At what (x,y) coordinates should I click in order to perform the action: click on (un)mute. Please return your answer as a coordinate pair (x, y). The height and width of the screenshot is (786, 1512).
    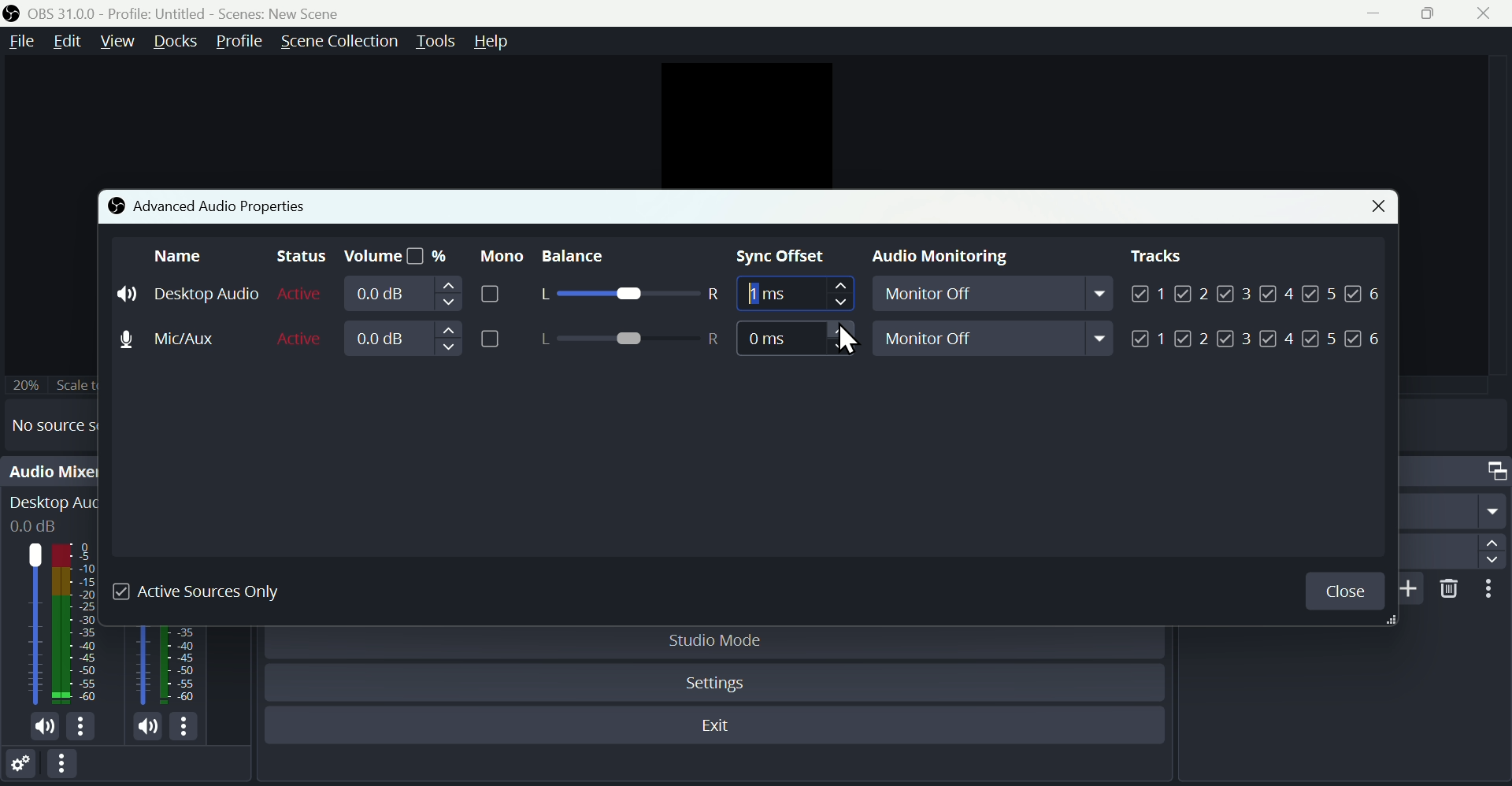
    Looking at the image, I should click on (47, 729).